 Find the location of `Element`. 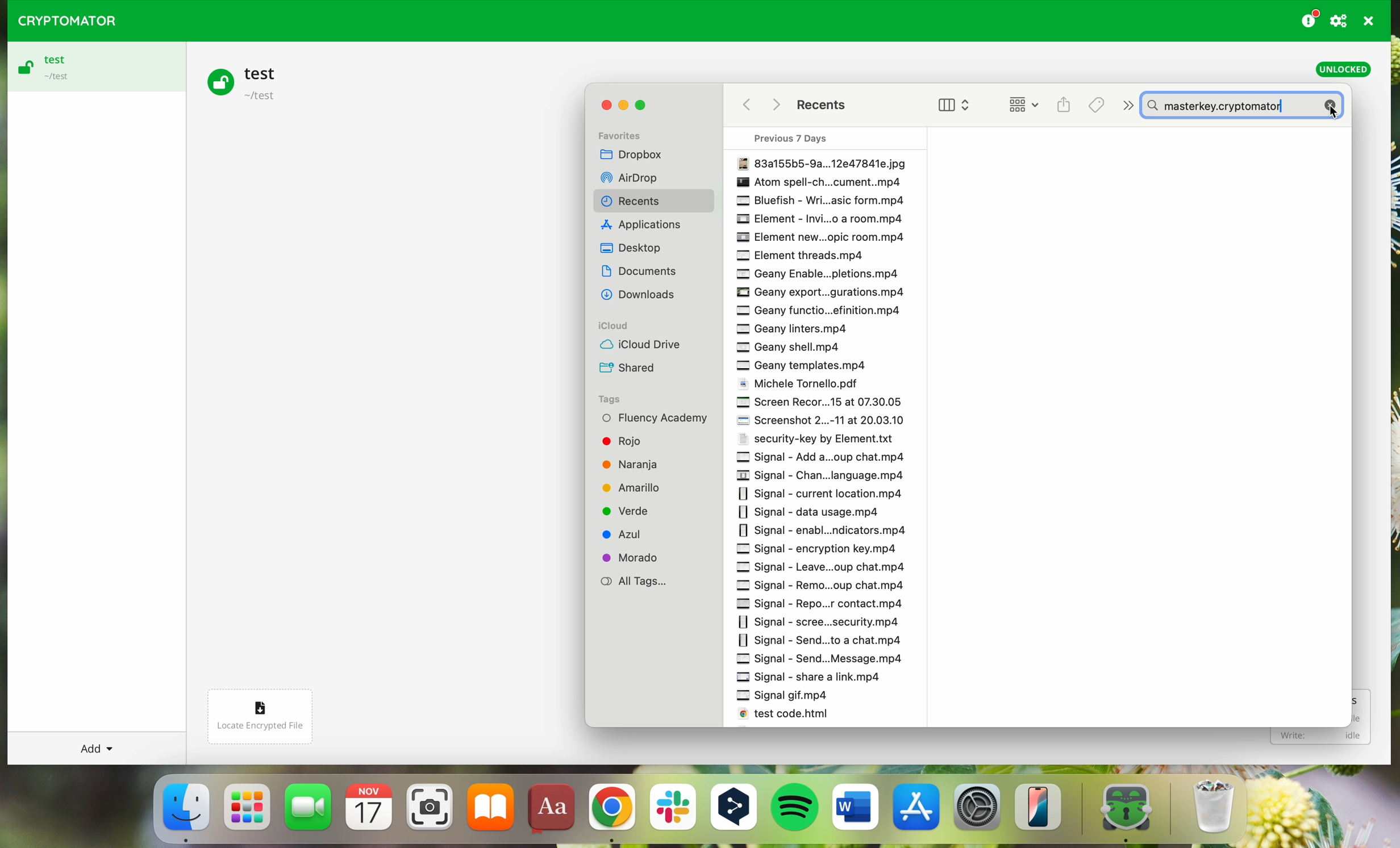

Element is located at coordinates (824, 218).